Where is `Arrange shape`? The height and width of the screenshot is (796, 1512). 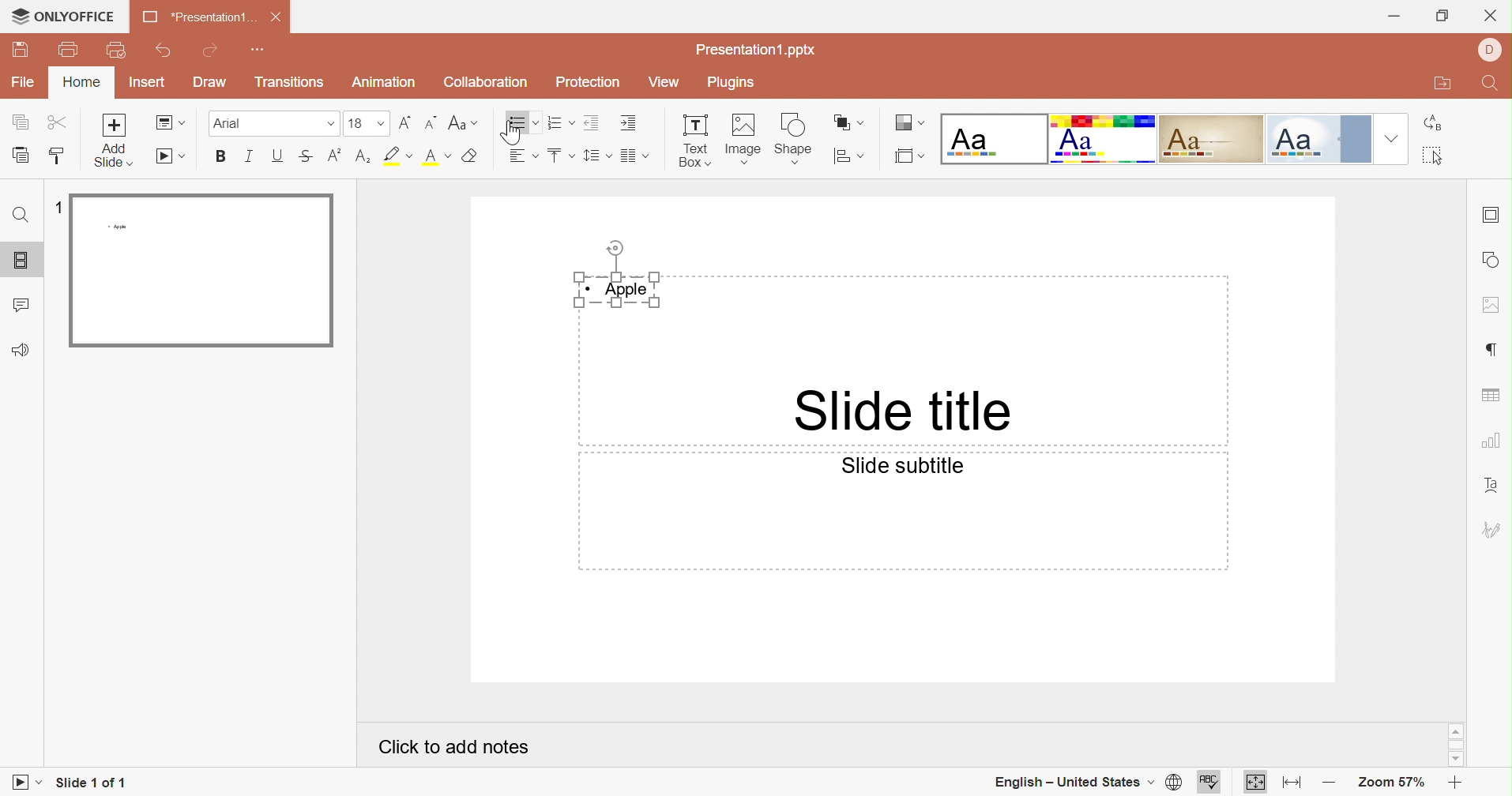 Arrange shape is located at coordinates (849, 122).